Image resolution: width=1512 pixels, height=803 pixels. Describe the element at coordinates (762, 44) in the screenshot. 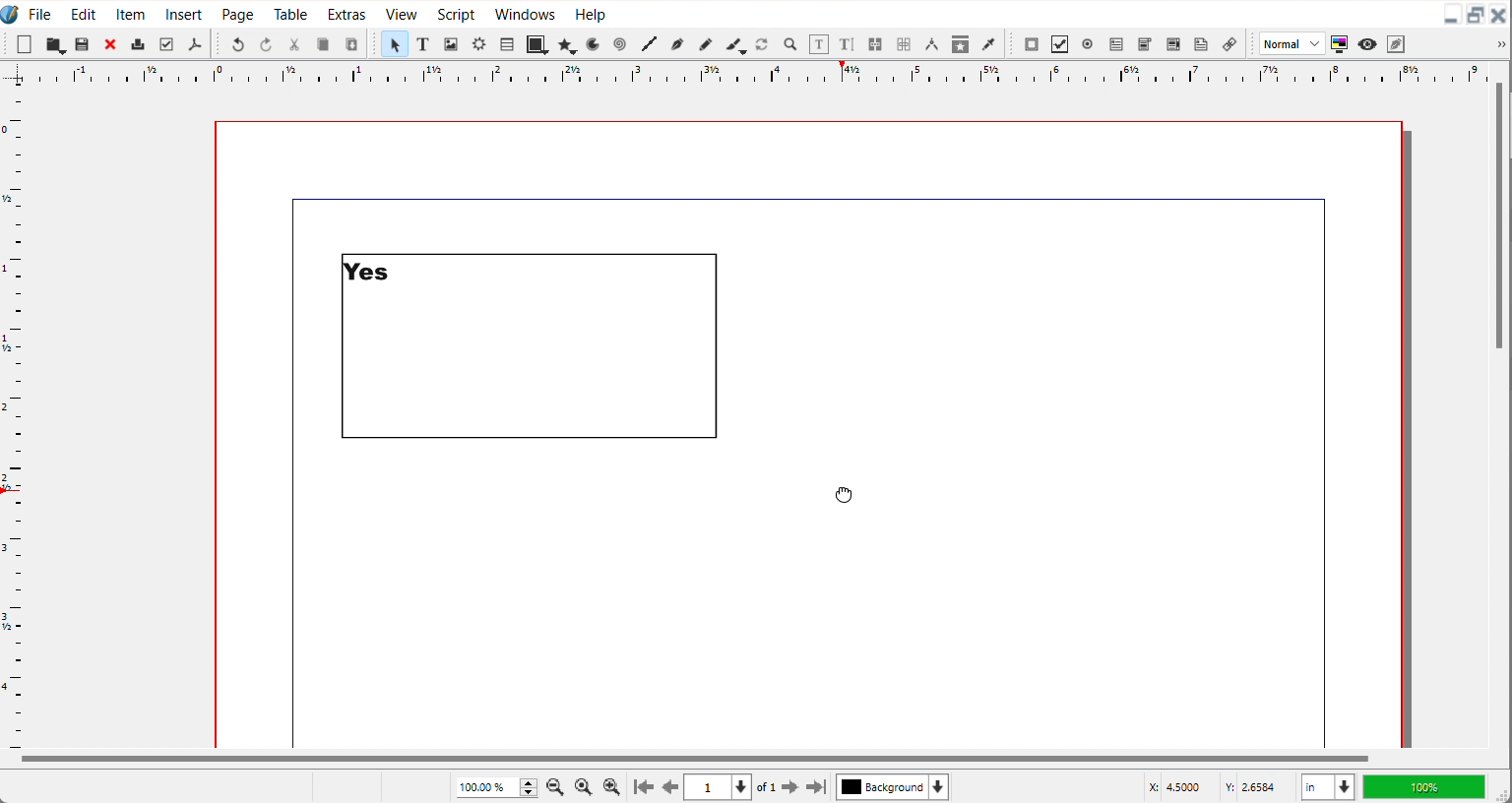

I see `Rotate item` at that location.